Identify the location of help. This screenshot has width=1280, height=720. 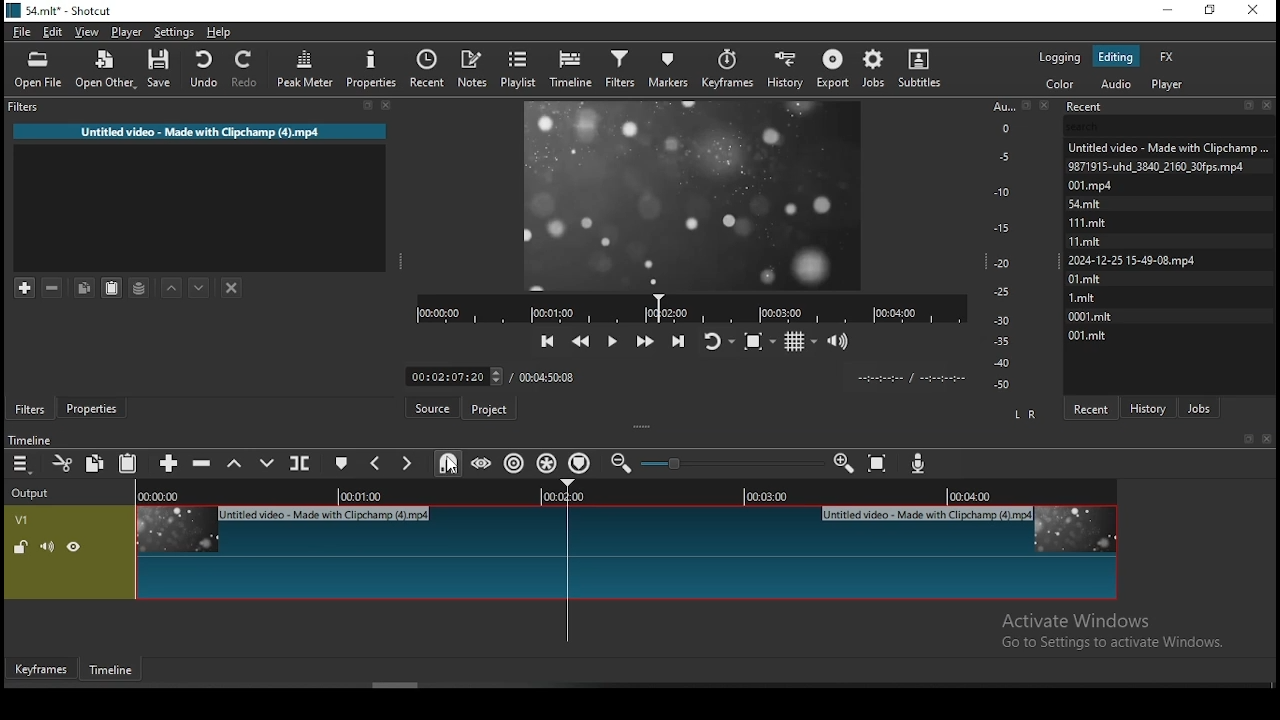
(218, 31).